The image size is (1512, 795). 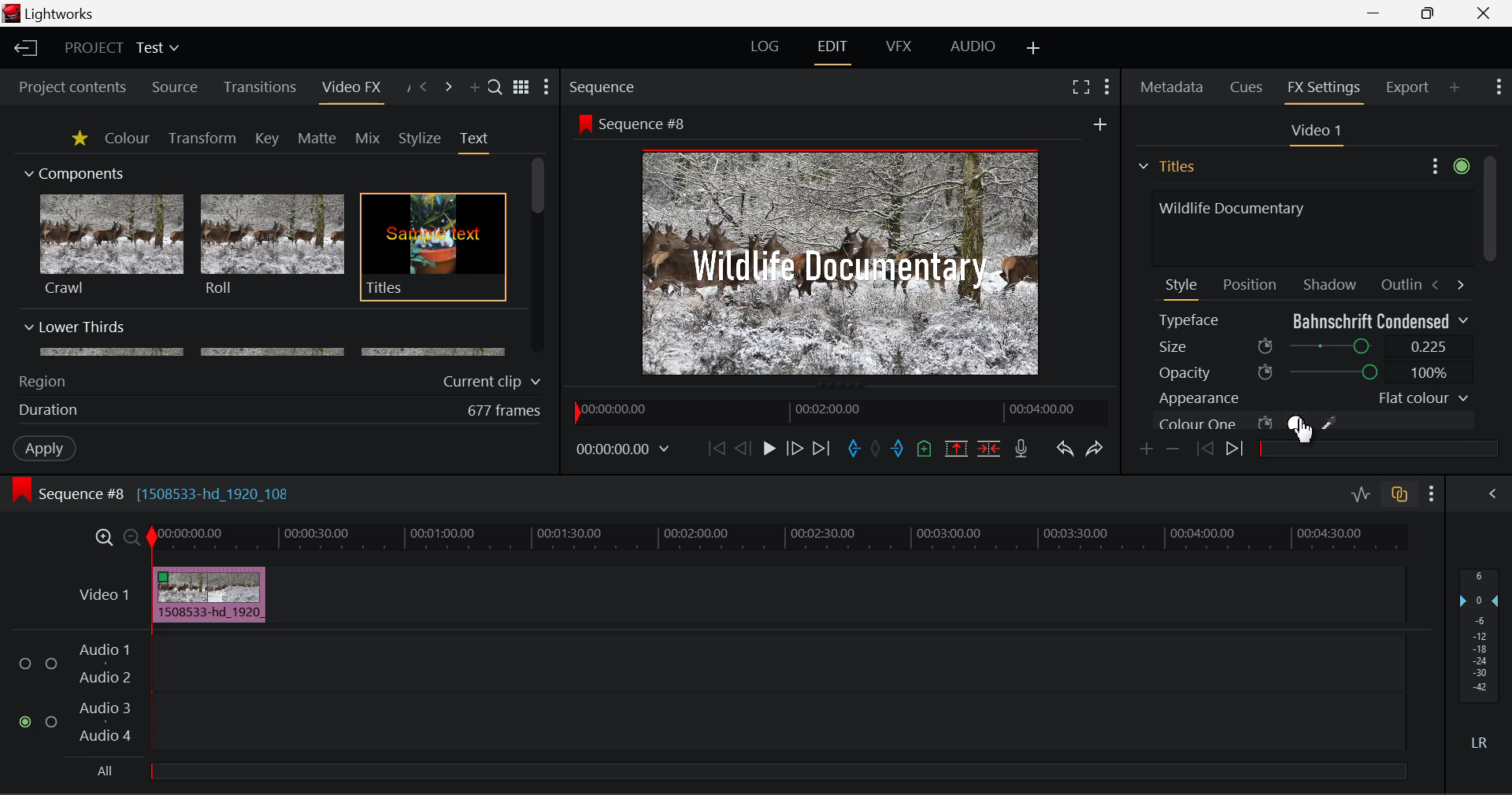 I want to click on Sequence #8 [1508533-hd_1920_108, so click(x=167, y=494).